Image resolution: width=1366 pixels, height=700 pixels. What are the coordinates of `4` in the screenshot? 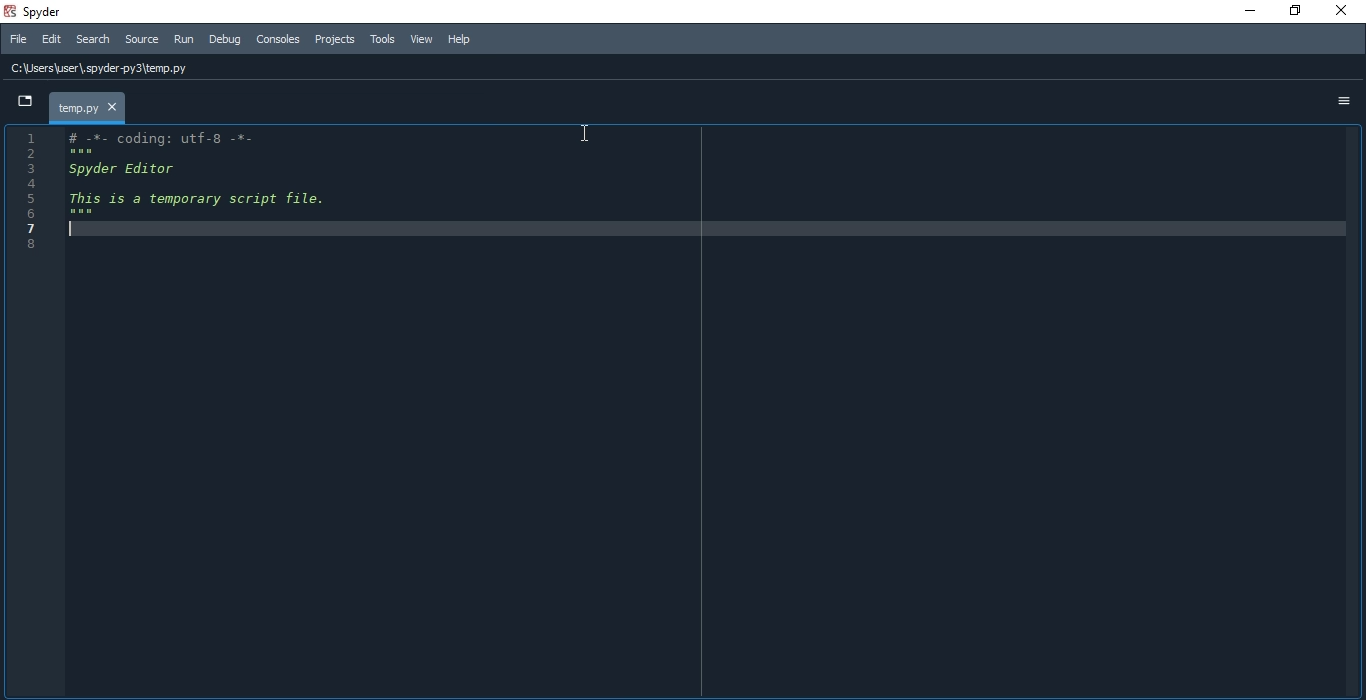 It's located at (51, 184).